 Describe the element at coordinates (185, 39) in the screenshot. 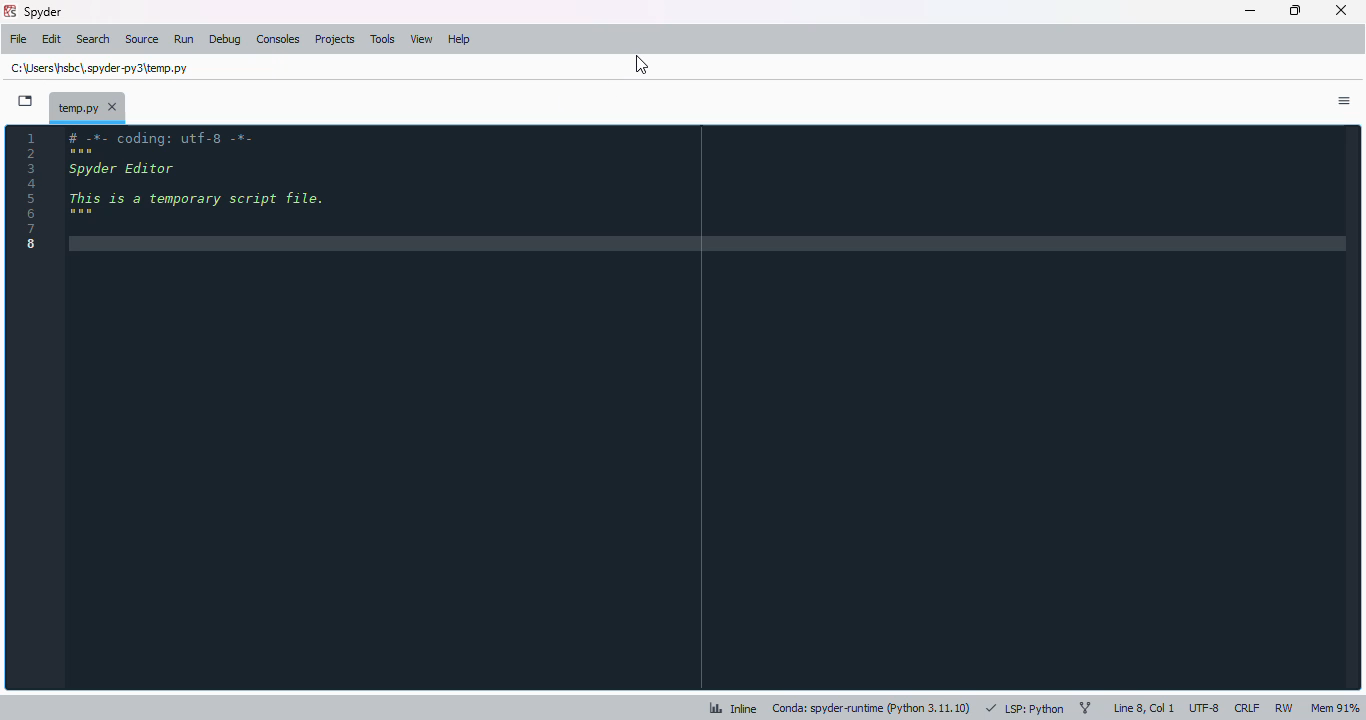

I see `run` at that location.